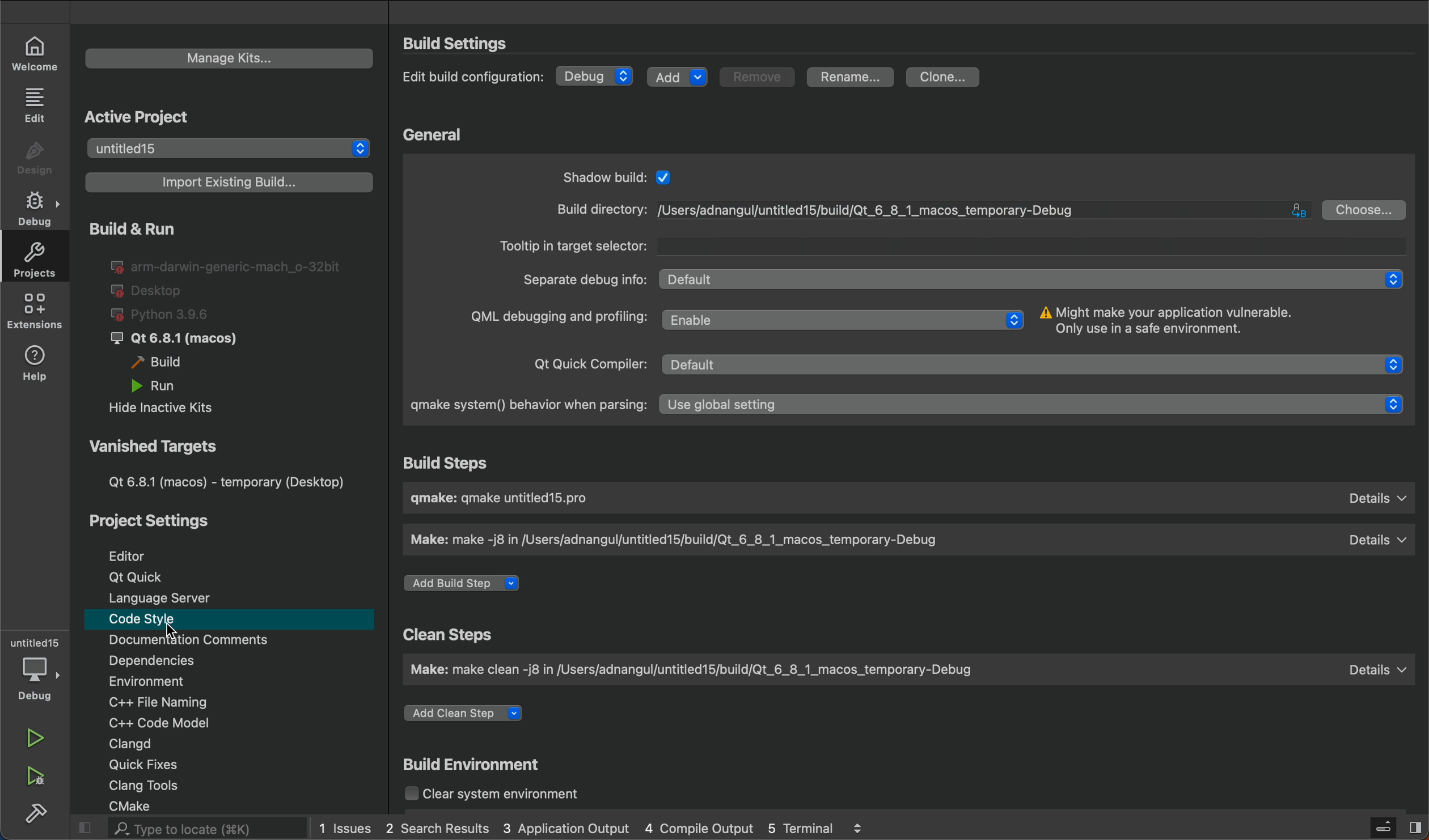  Describe the element at coordinates (220, 464) in the screenshot. I see `targets` at that location.